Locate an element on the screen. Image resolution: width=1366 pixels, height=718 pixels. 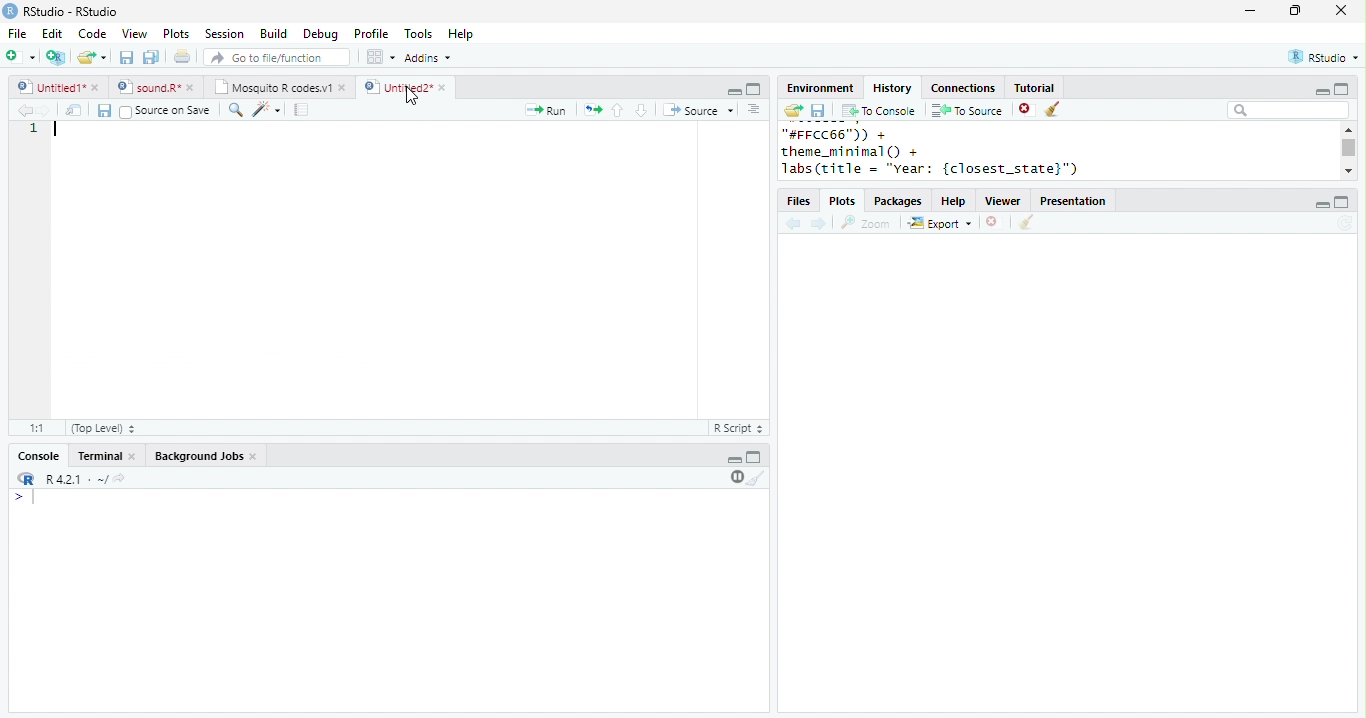
To source is located at coordinates (967, 110).